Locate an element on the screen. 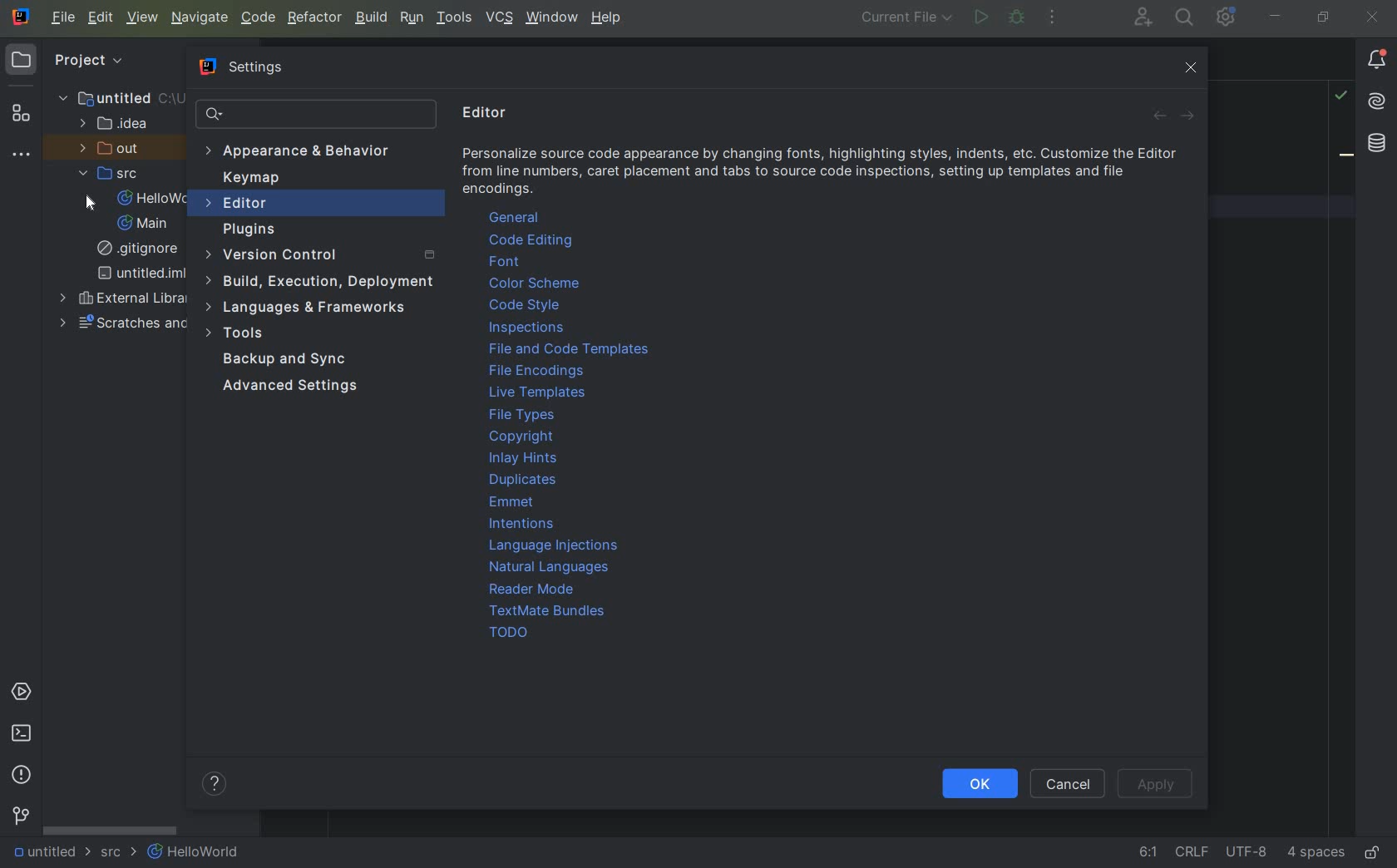 The height and width of the screenshot is (868, 1397). close is located at coordinates (1373, 17).